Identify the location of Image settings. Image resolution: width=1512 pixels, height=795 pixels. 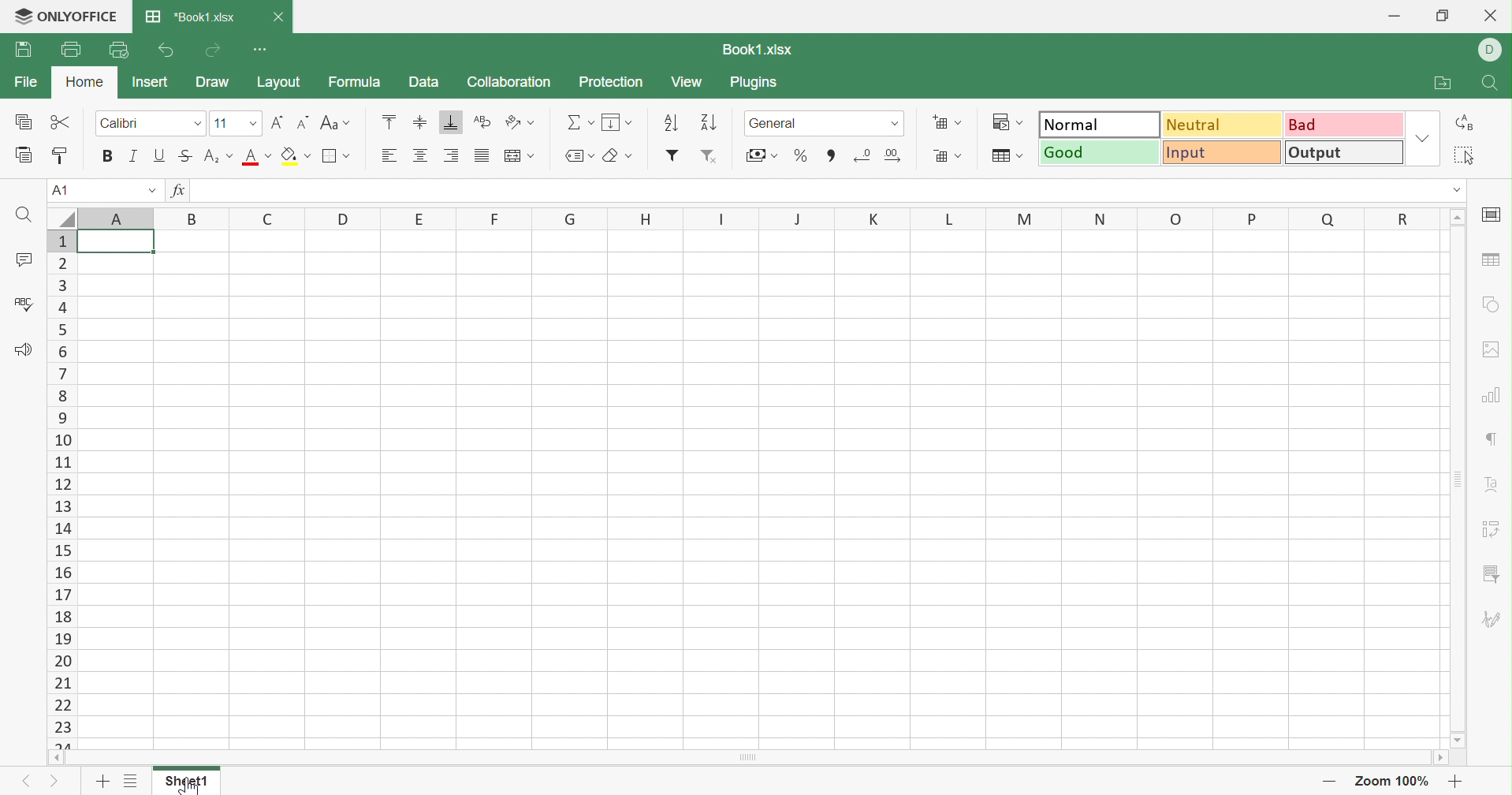
(1492, 352).